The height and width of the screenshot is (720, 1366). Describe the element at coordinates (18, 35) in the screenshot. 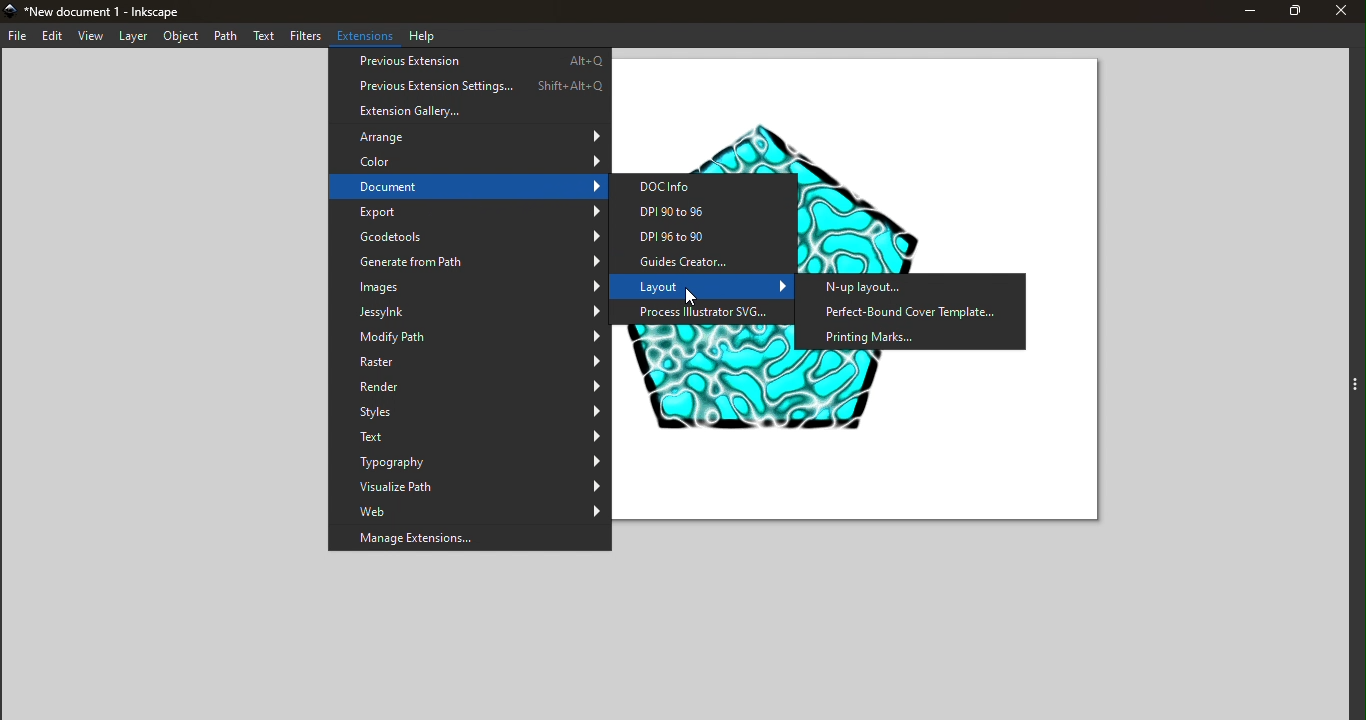

I see `File` at that location.